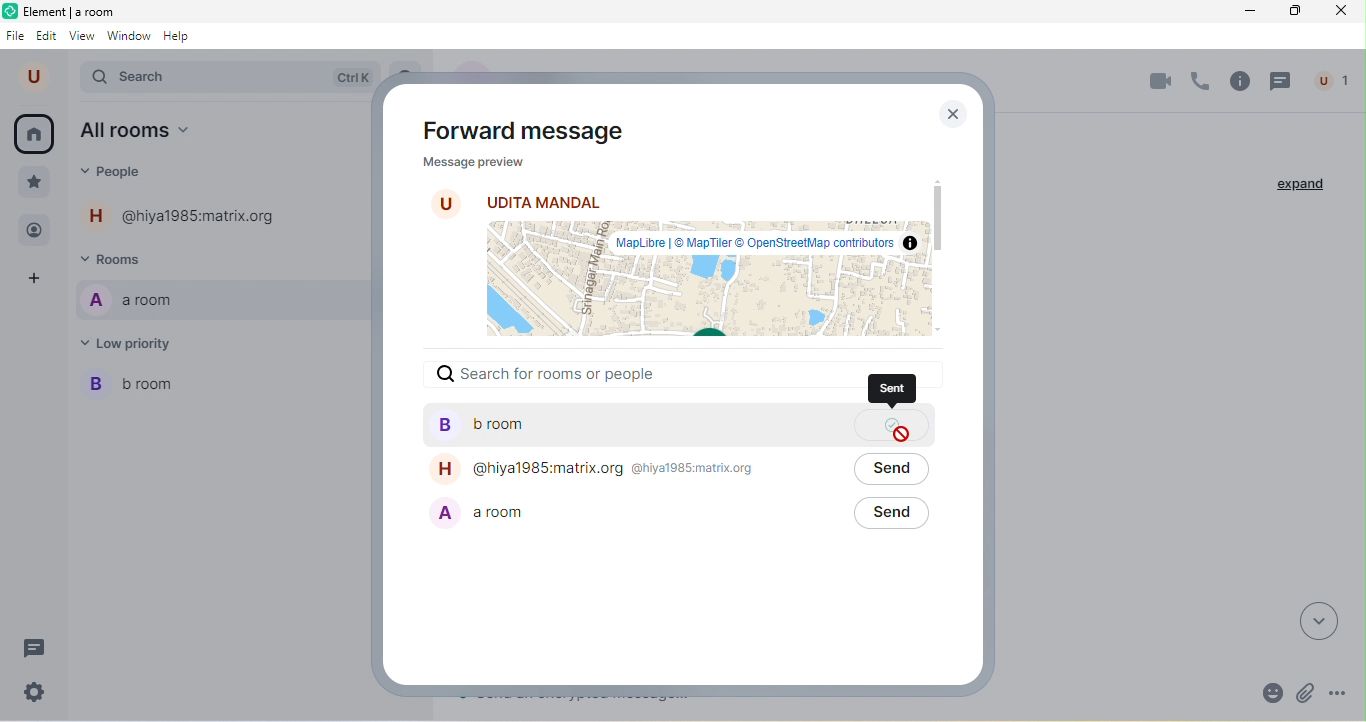 Image resolution: width=1366 pixels, height=722 pixels. I want to click on sent, so click(893, 391).